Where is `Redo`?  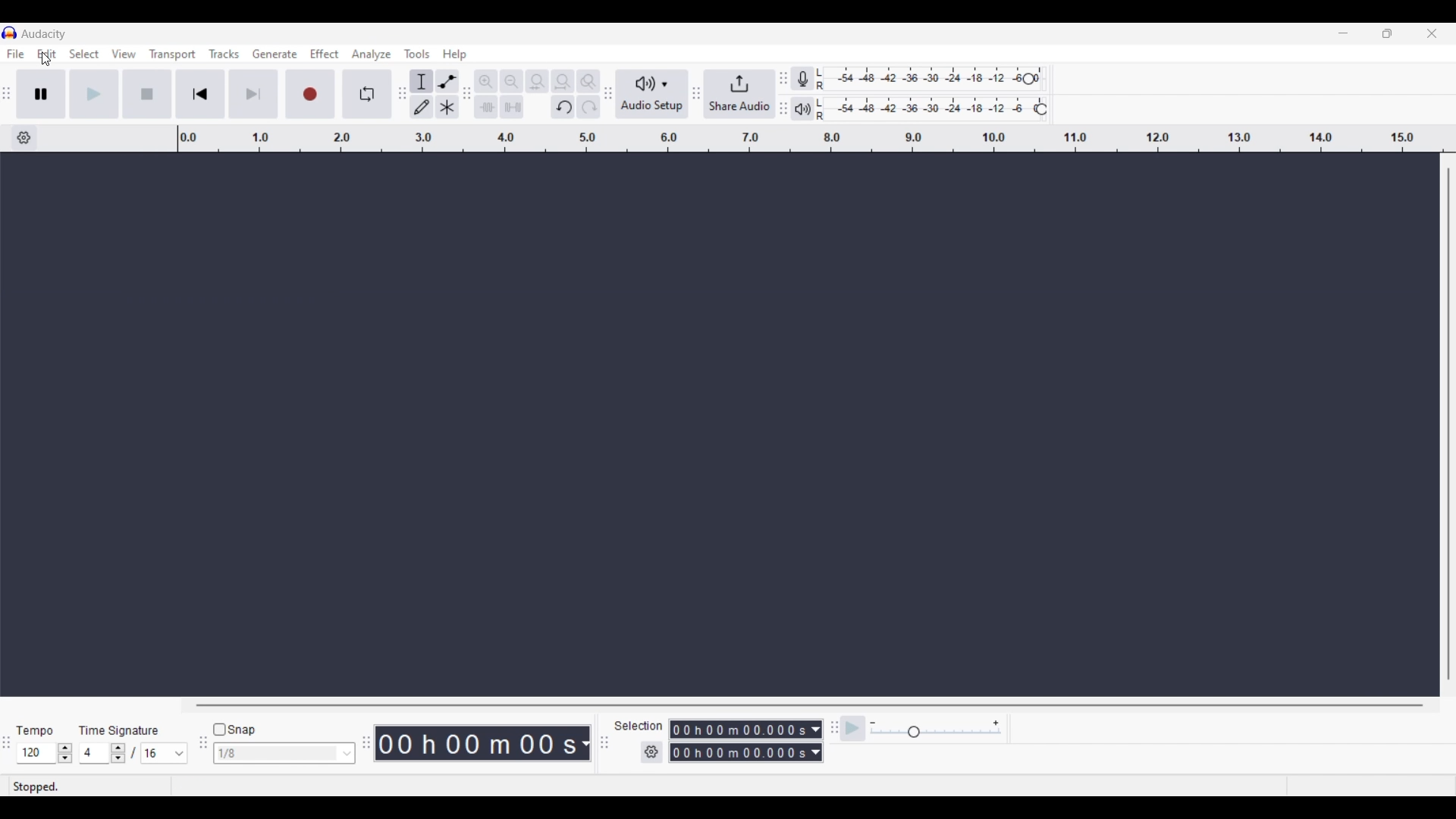 Redo is located at coordinates (588, 106).